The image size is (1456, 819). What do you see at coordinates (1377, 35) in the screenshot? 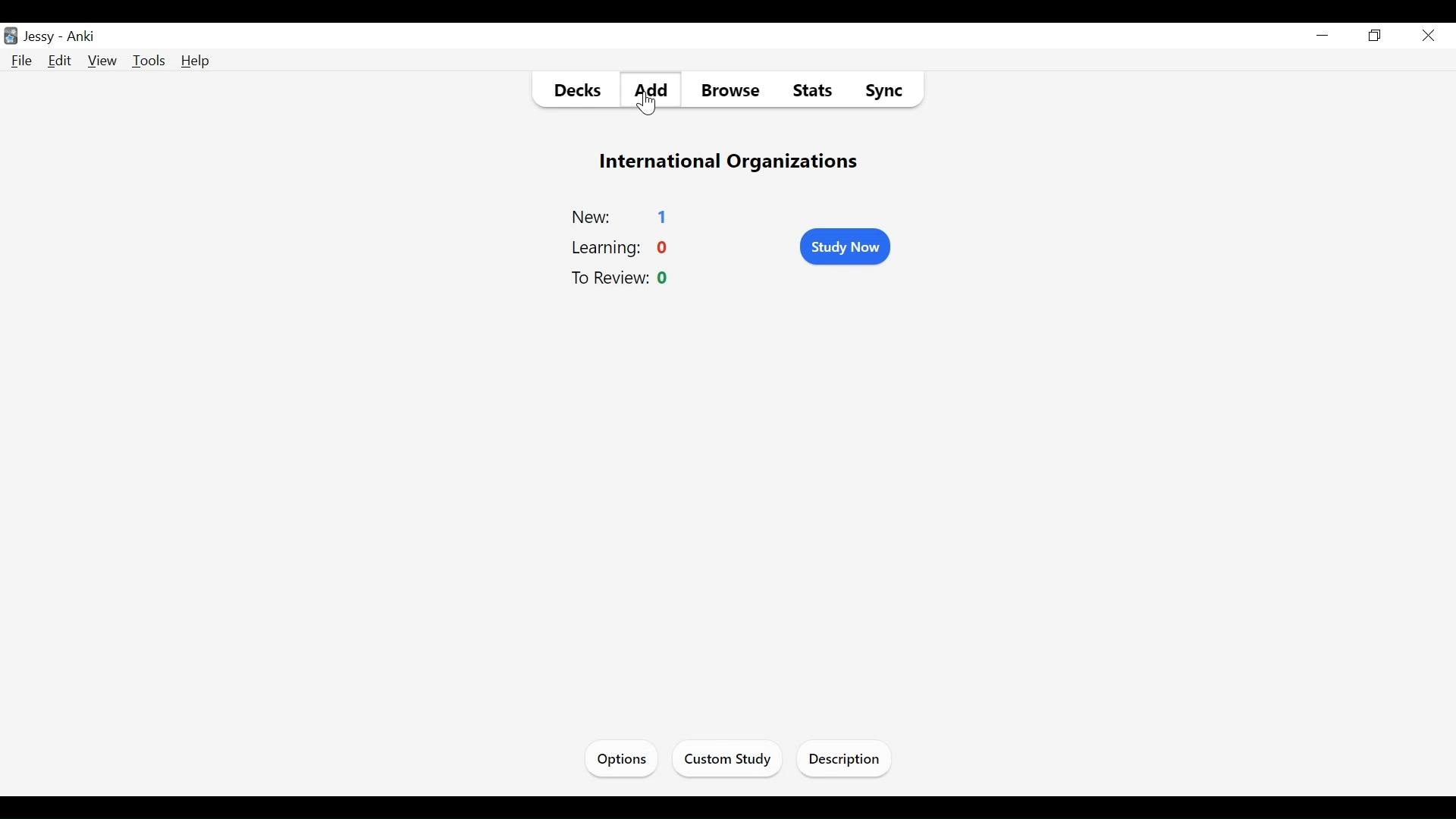
I see `Restore` at bounding box center [1377, 35].